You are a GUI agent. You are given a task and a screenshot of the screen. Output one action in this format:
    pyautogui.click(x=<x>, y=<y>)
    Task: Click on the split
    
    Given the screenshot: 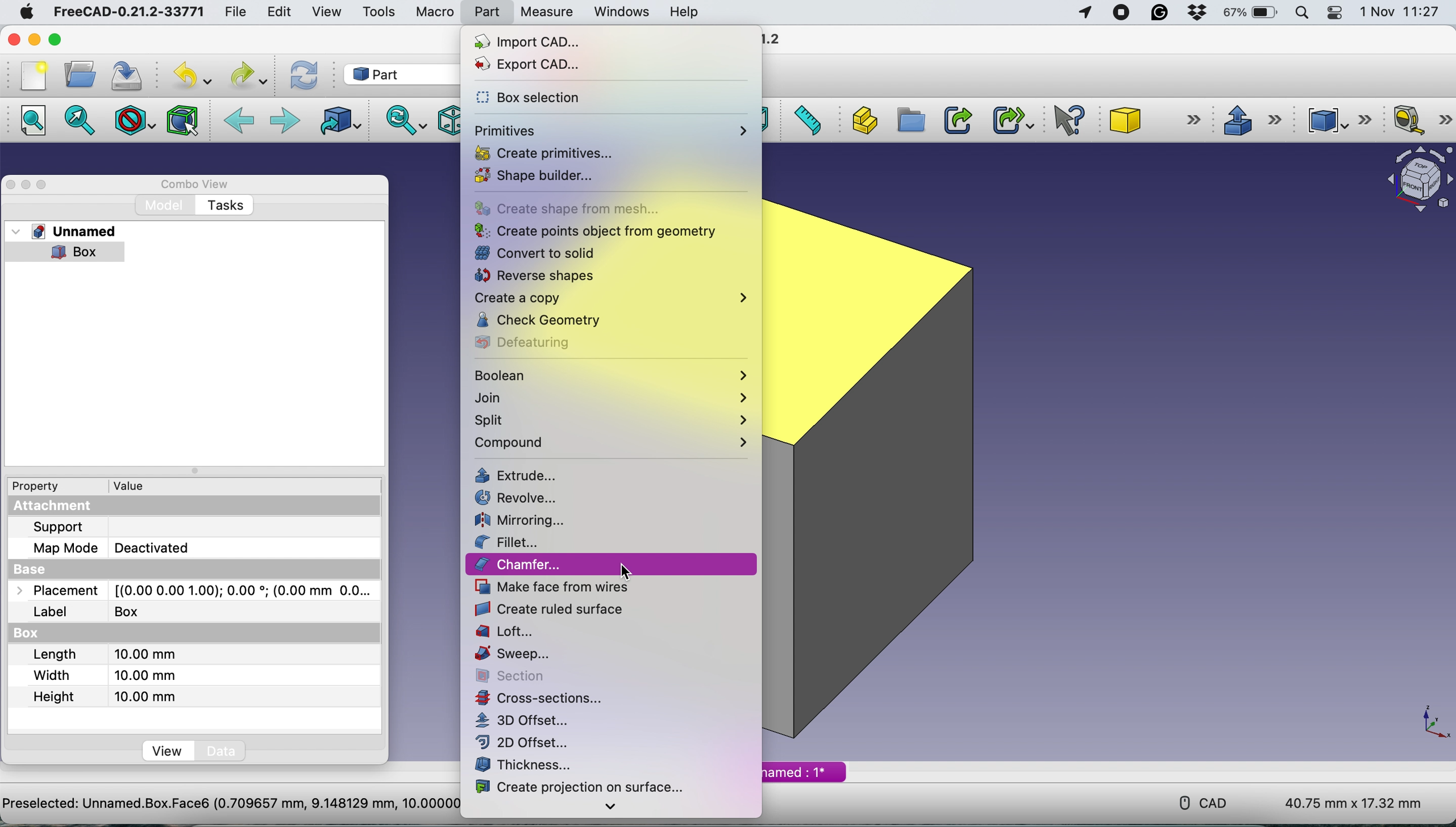 What is the action you would take?
    pyautogui.click(x=612, y=421)
    